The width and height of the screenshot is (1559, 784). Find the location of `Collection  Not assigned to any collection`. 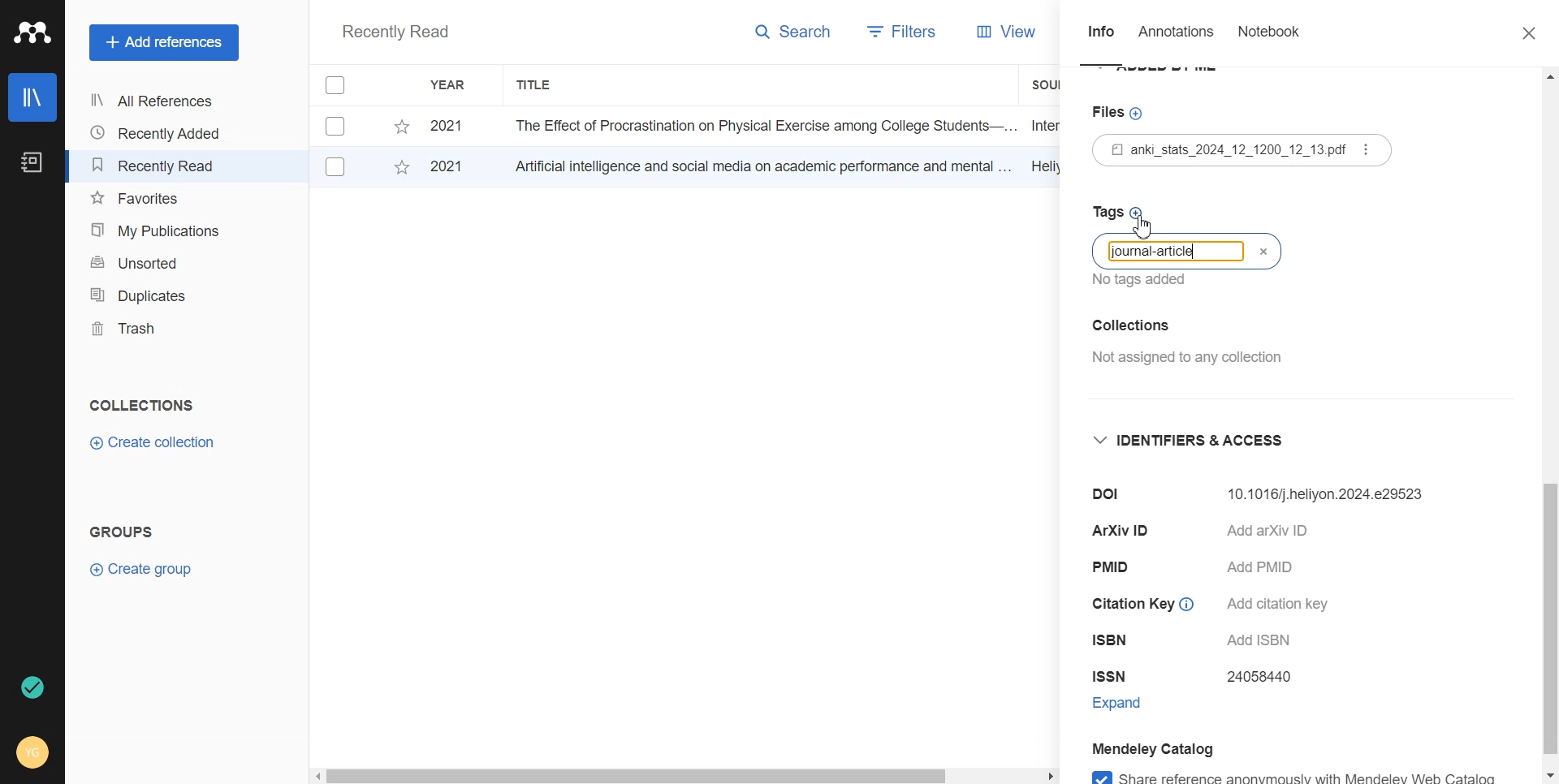

Collection  Not assigned to any collection is located at coordinates (1184, 349).